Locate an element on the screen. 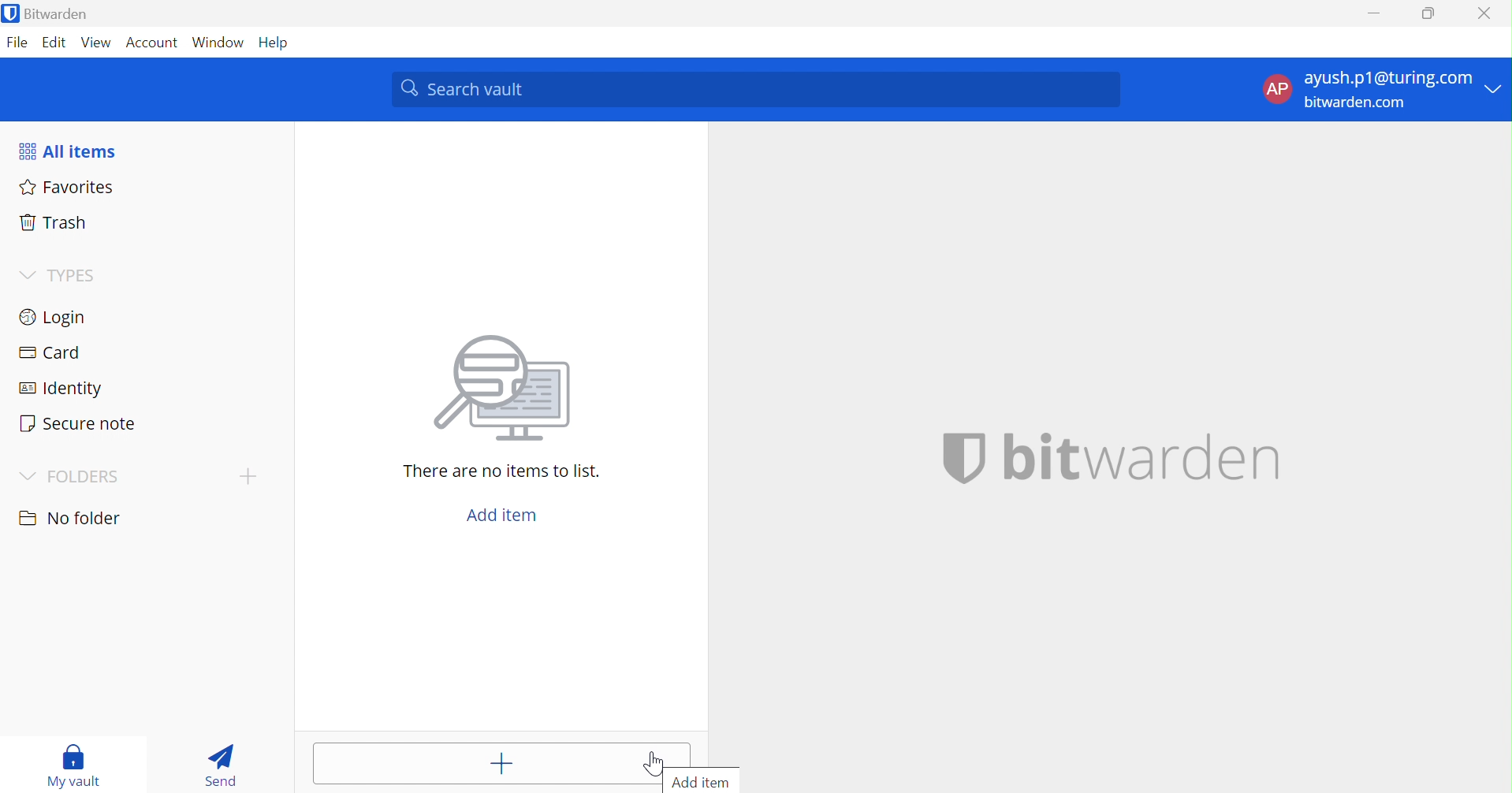  View is located at coordinates (96, 43).